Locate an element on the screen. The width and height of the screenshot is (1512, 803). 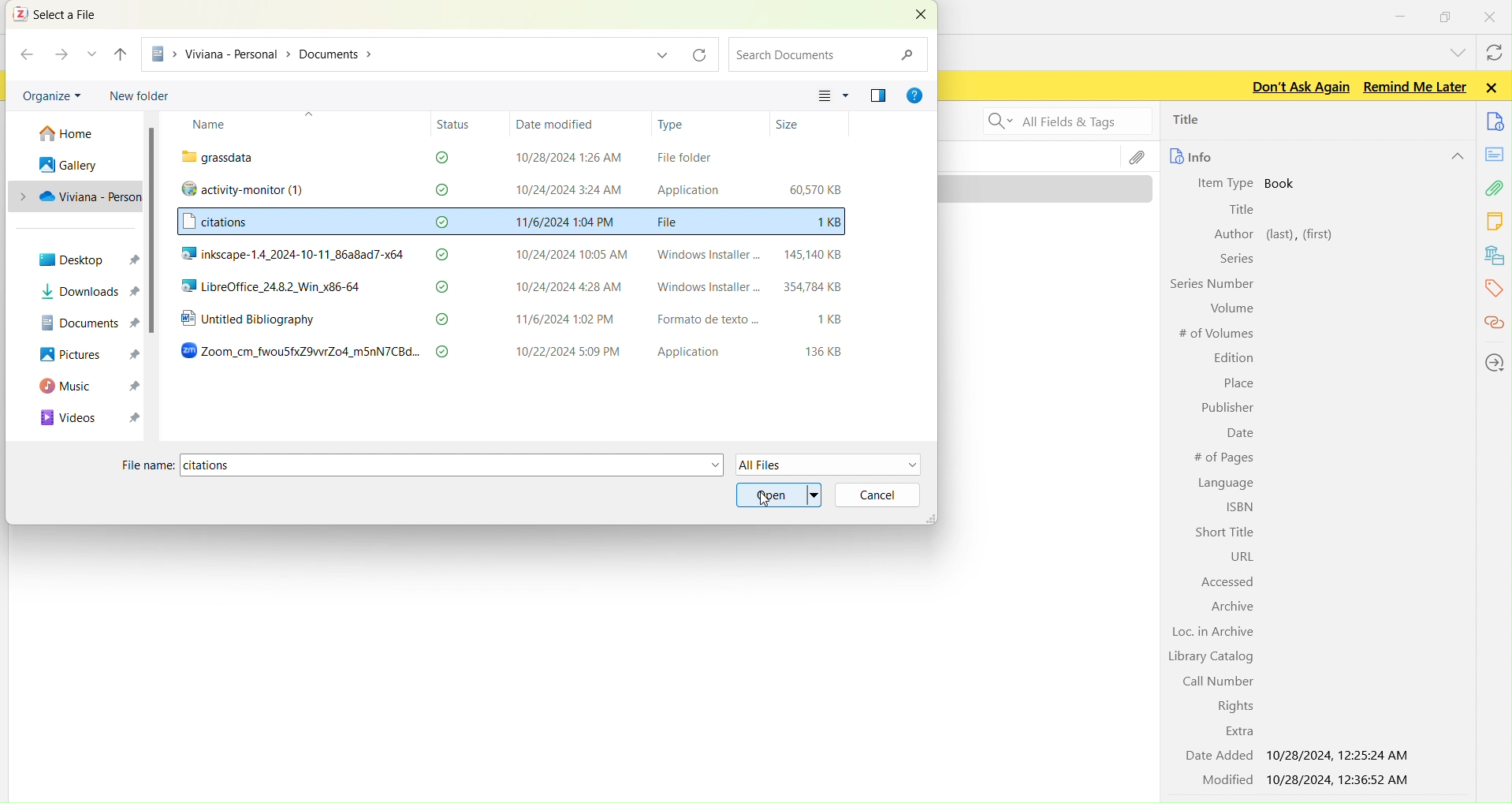
Date is located at coordinates (1236, 431).